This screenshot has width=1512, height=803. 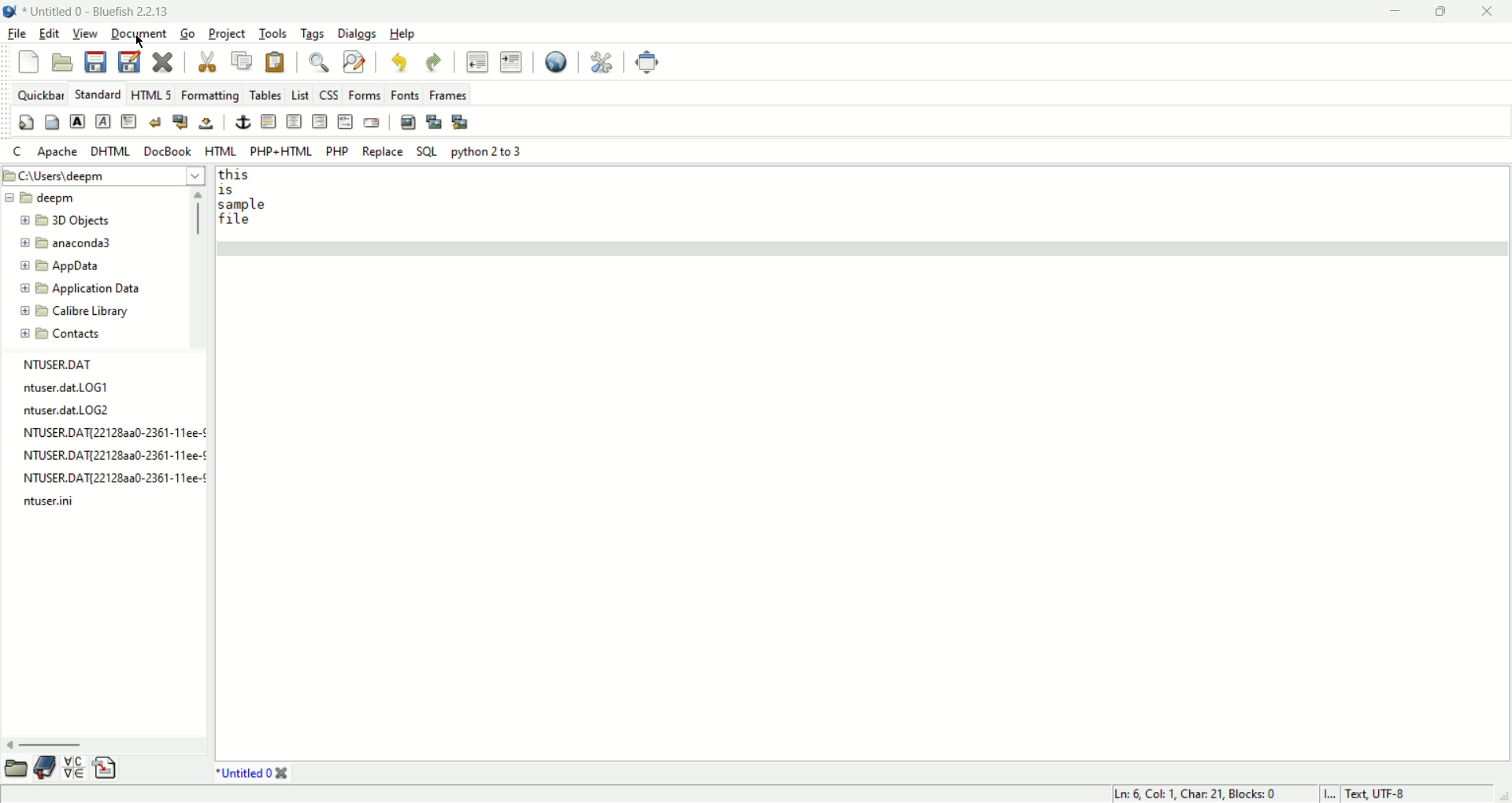 I want to click on PHP+HTML, so click(x=281, y=151).